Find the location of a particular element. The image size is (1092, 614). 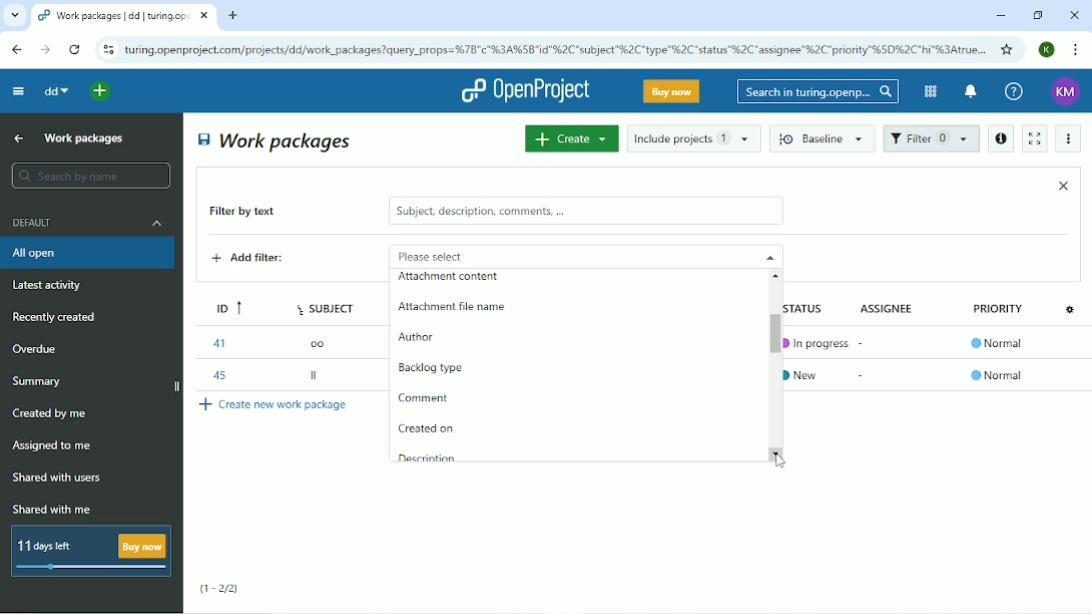

Close is located at coordinates (1063, 185).